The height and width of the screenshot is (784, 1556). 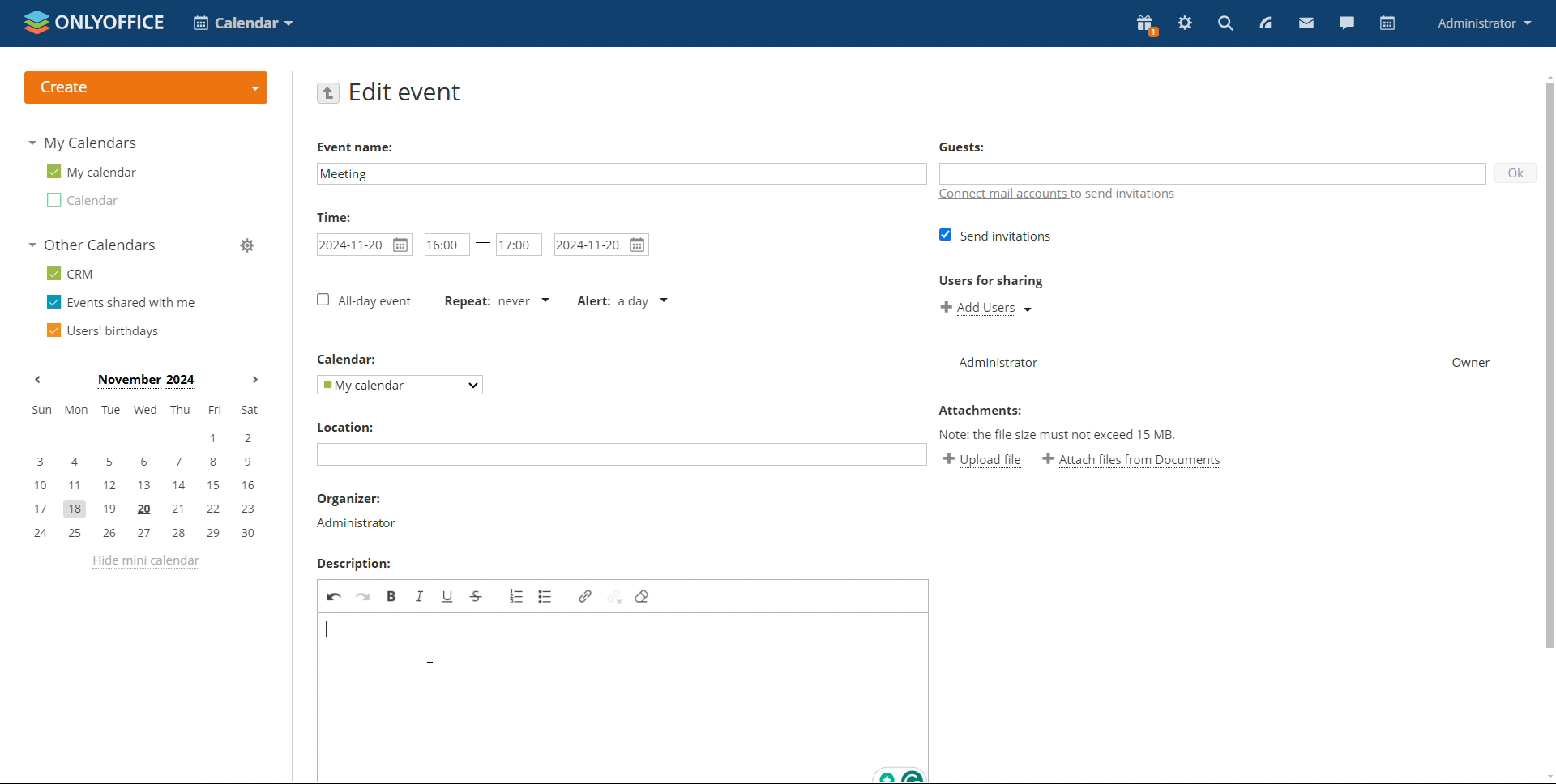 What do you see at coordinates (145, 472) in the screenshot?
I see `mini calendar` at bounding box center [145, 472].